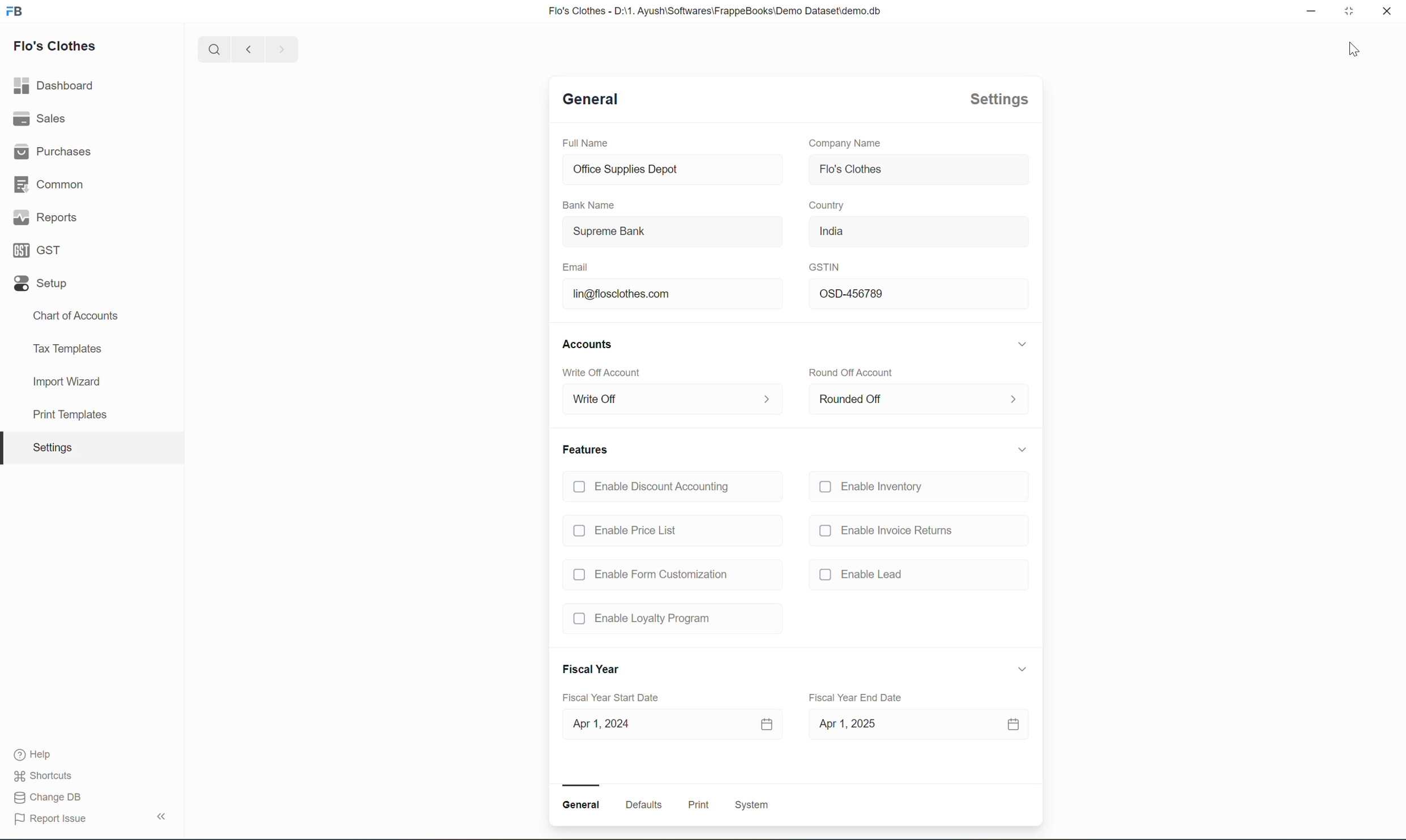  Describe the element at coordinates (283, 49) in the screenshot. I see `forward` at that location.